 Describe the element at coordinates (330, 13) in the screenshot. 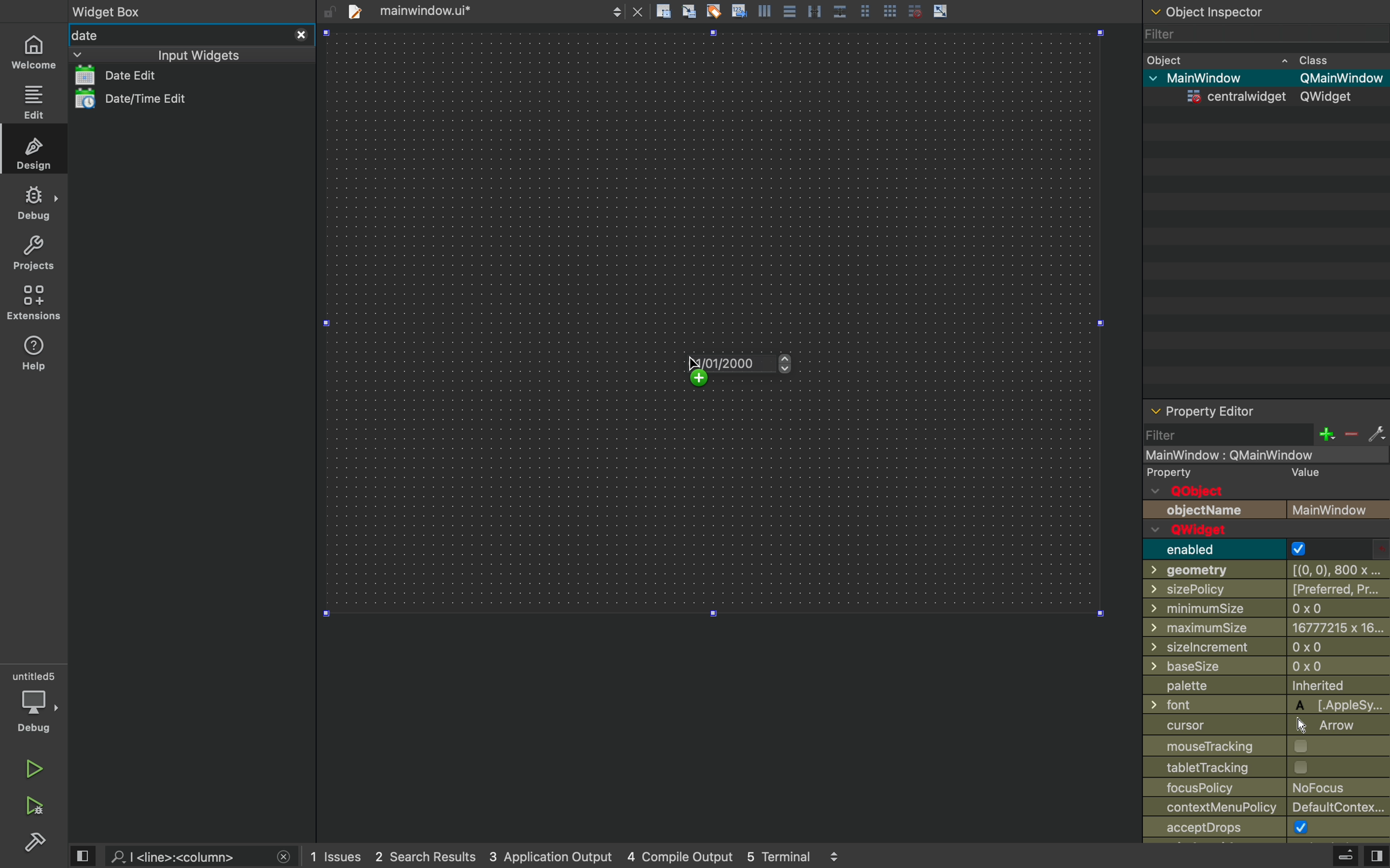

I see `unlock` at that location.